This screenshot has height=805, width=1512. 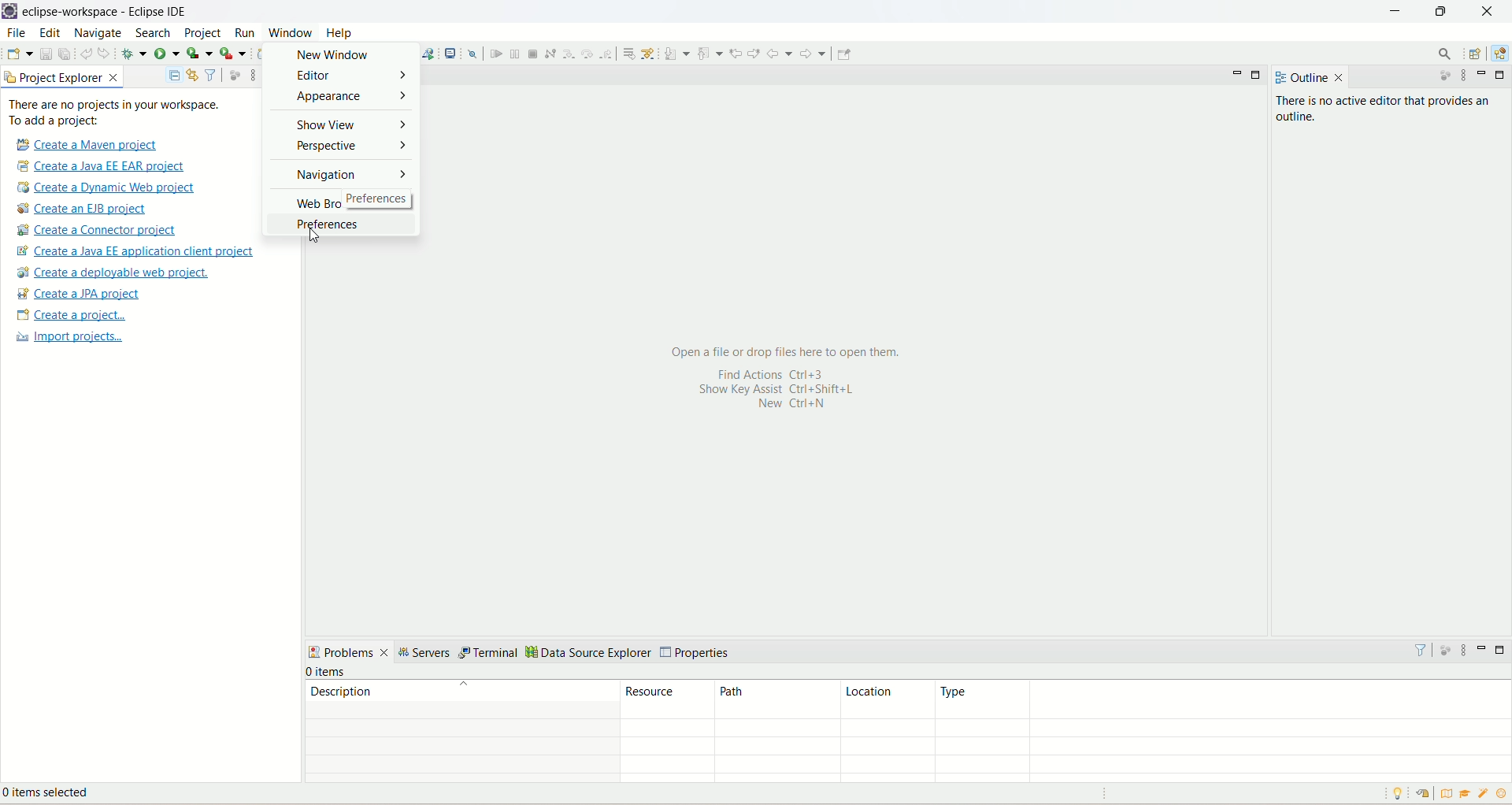 I want to click on file, so click(x=16, y=32).